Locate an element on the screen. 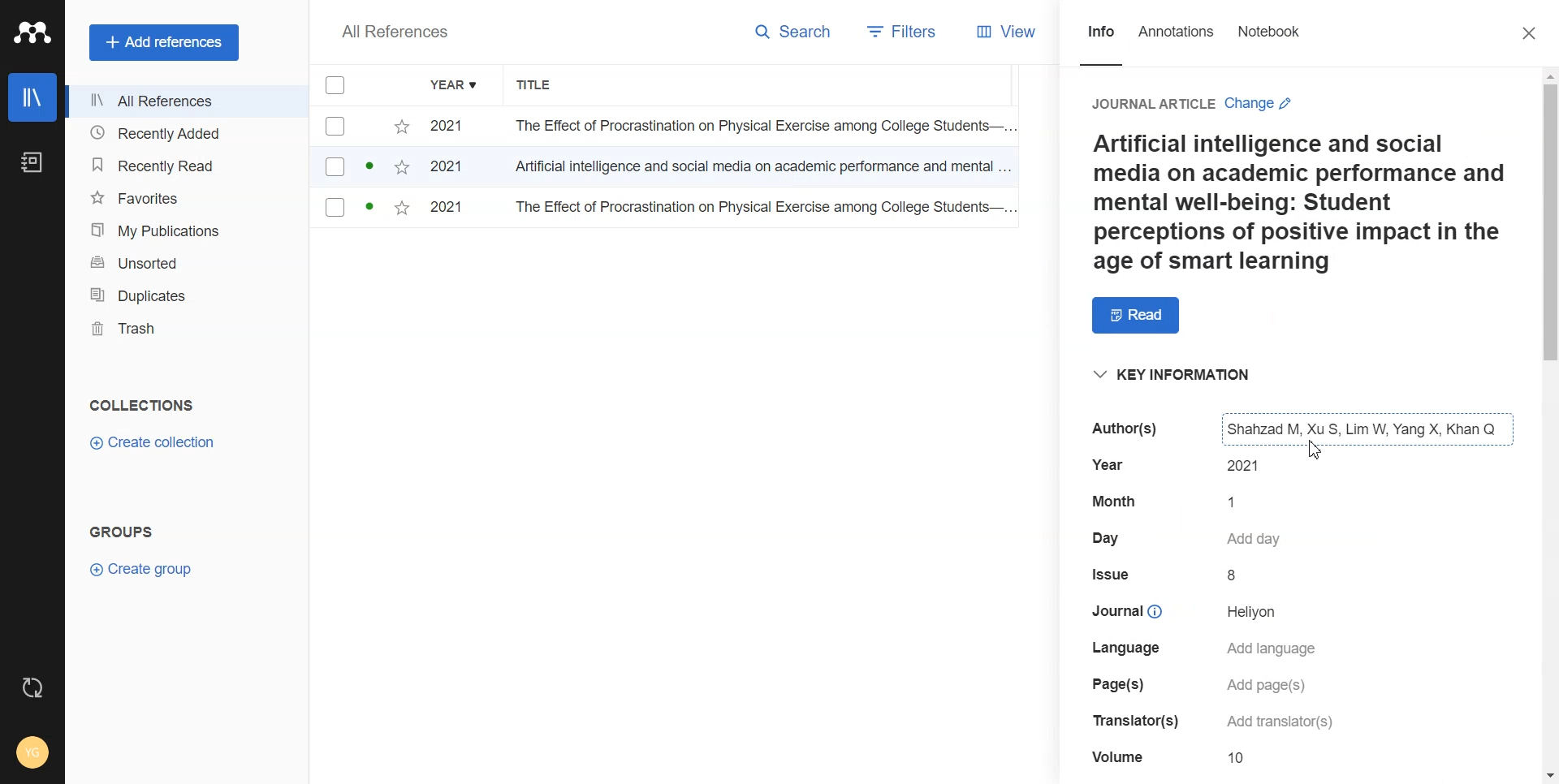 This screenshot has height=784, width=1559. Cursor is located at coordinates (1319, 450).